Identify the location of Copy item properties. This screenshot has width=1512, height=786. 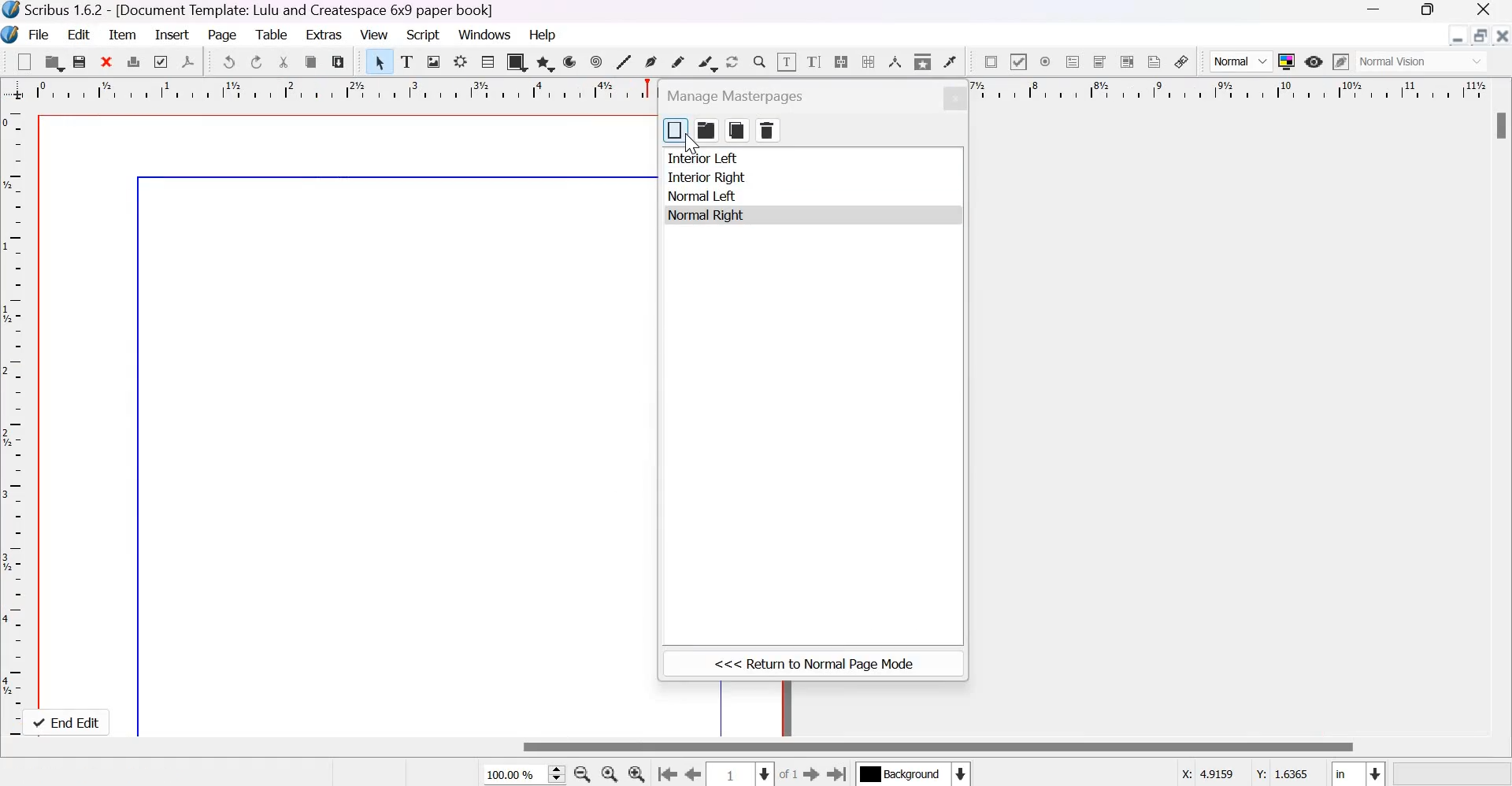
(923, 61).